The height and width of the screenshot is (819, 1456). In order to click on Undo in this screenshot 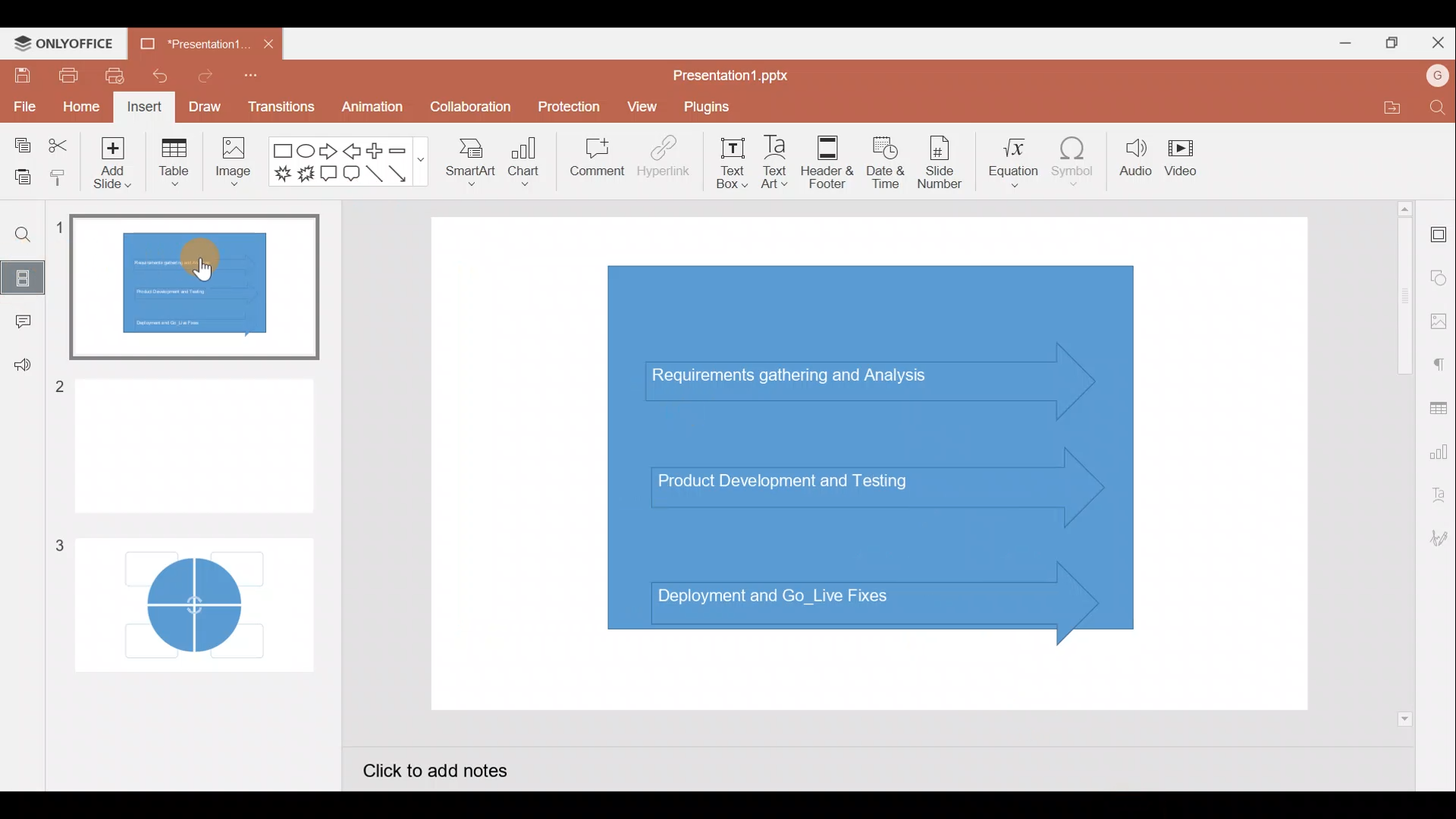, I will do `click(158, 77)`.